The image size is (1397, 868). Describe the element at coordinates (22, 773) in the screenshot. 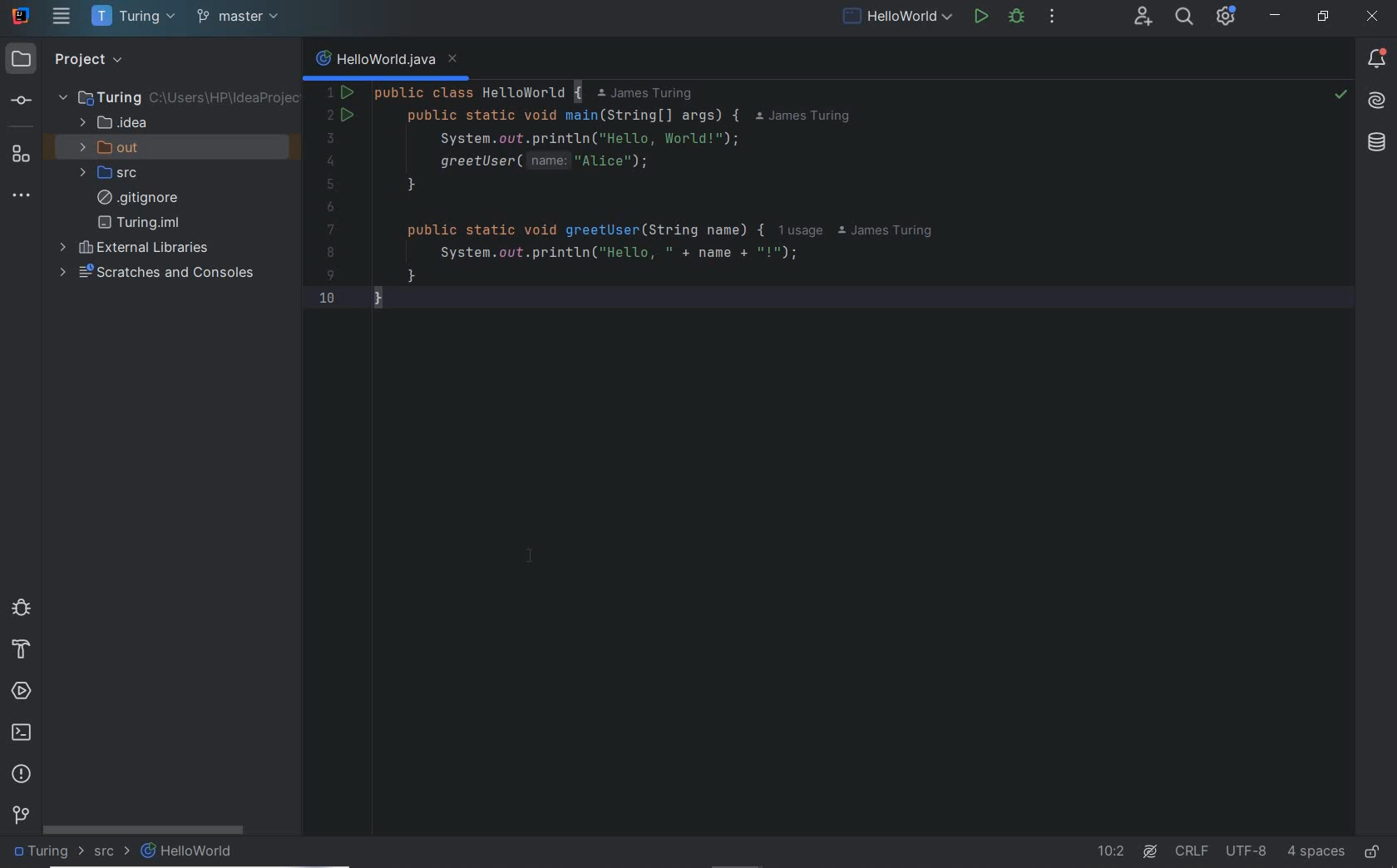

I see `problems` at that location.